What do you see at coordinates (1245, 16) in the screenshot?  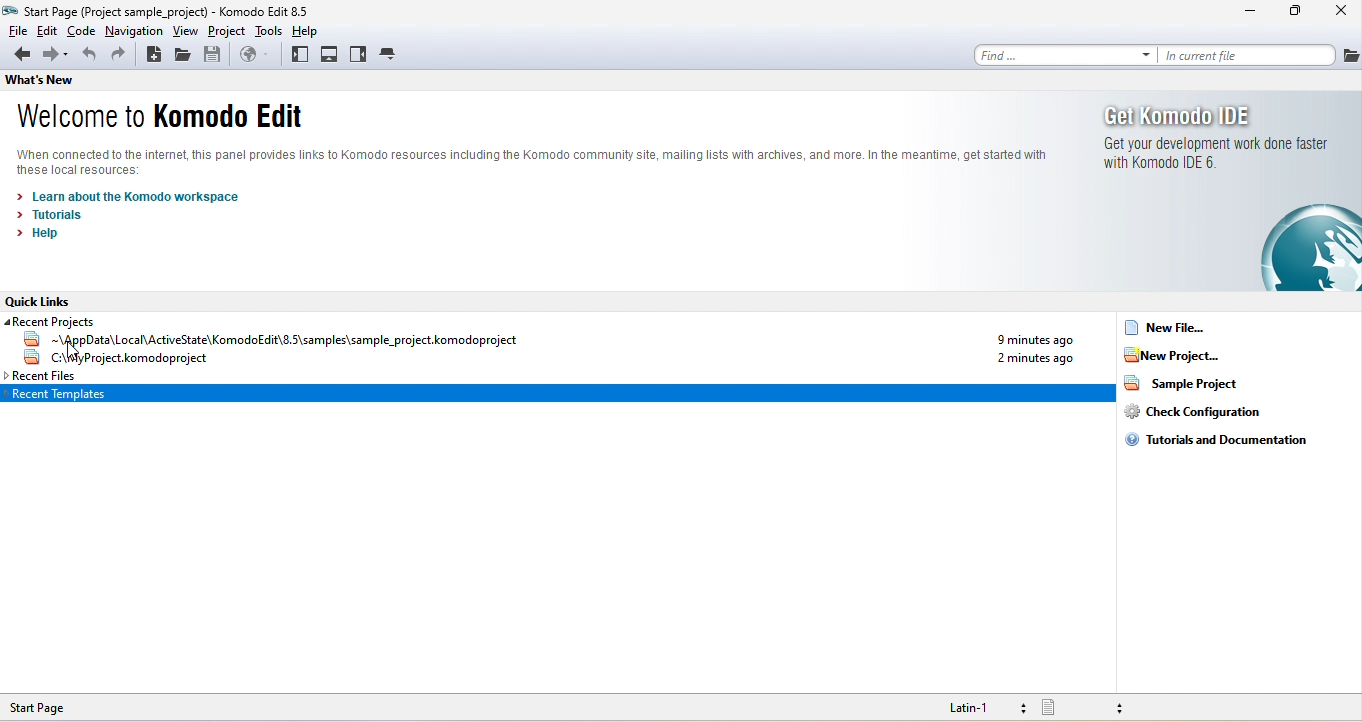 I see `minimize` at bounding box center [1245, 16].